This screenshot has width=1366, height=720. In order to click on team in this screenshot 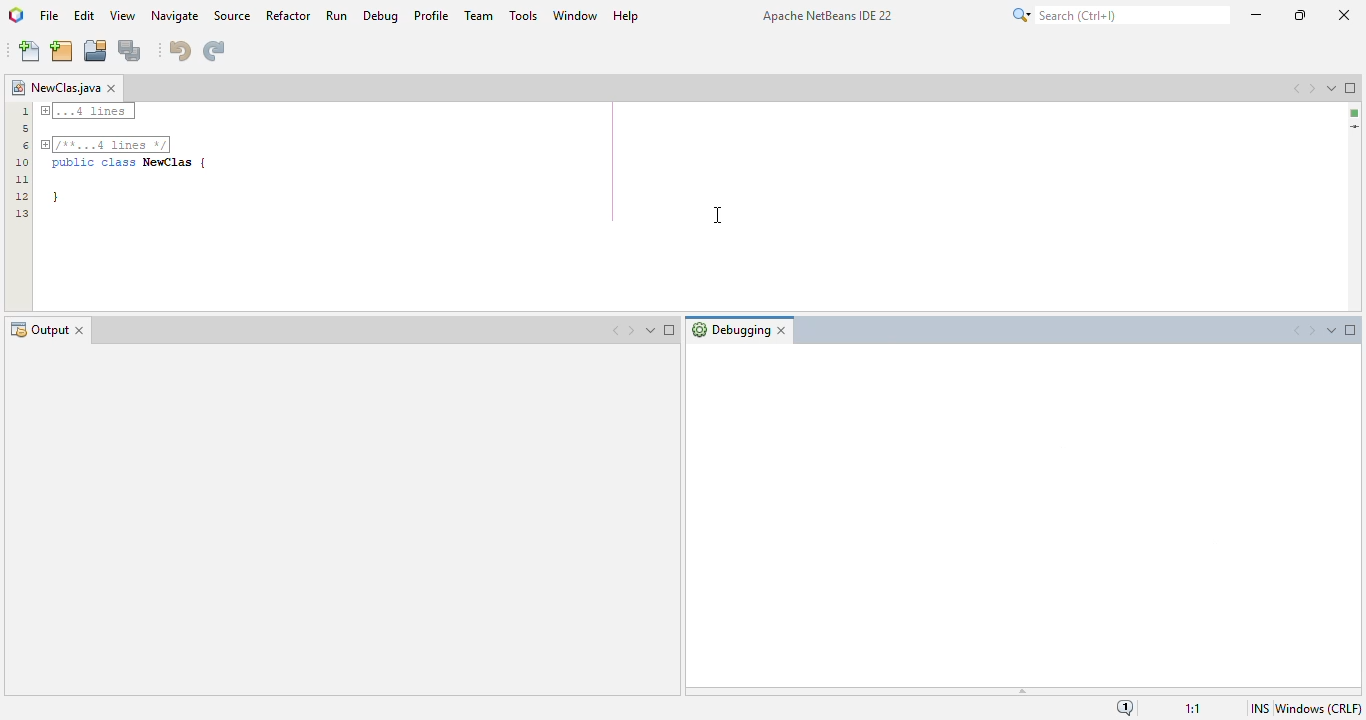, I will do `click(480, 16)`.